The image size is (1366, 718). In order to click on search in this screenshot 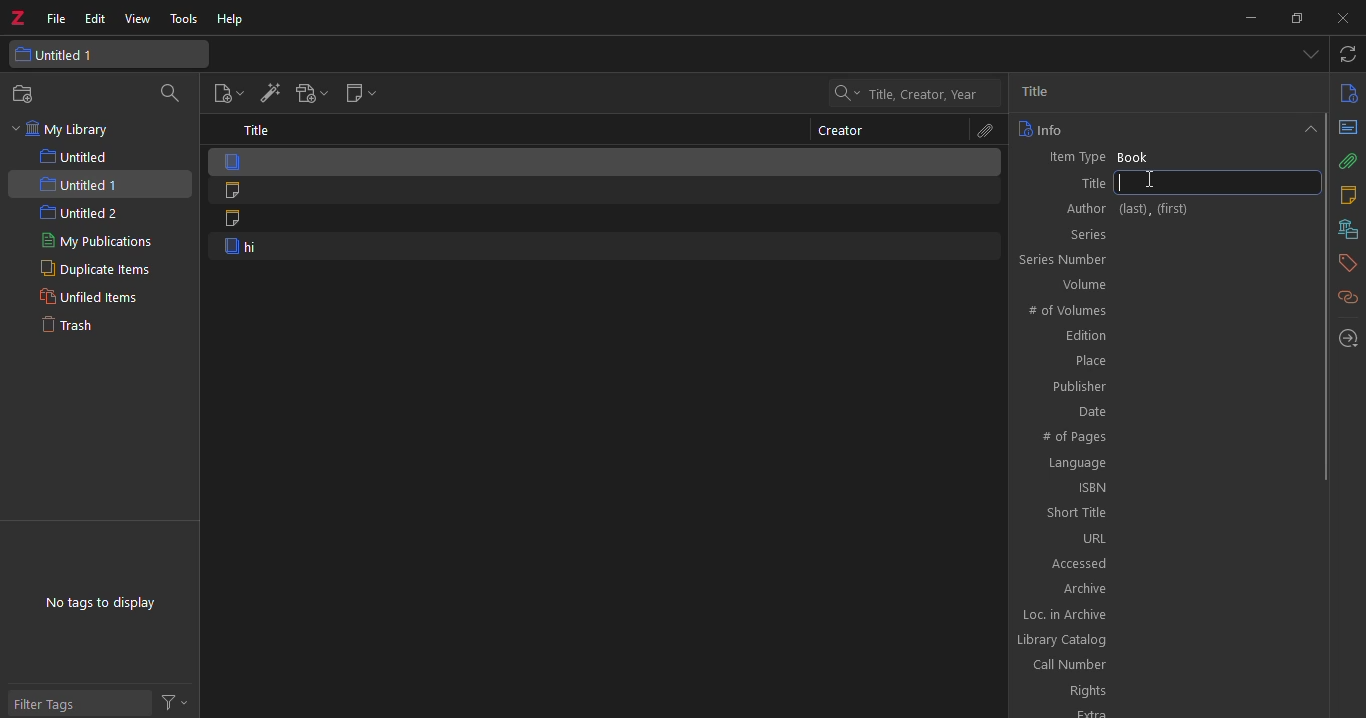, I will do `click(174, 93)`.